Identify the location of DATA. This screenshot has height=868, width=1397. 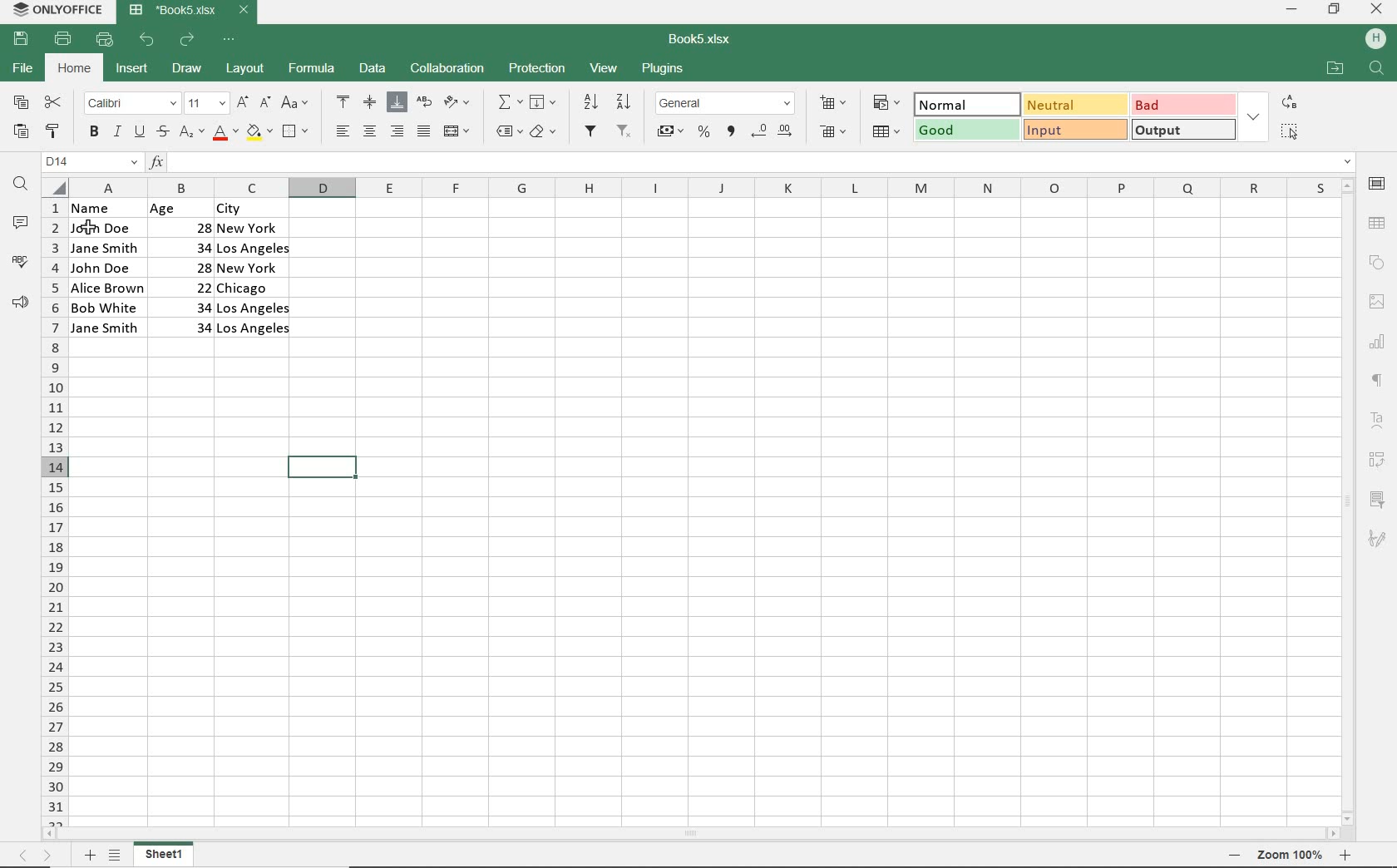
(373, 70).